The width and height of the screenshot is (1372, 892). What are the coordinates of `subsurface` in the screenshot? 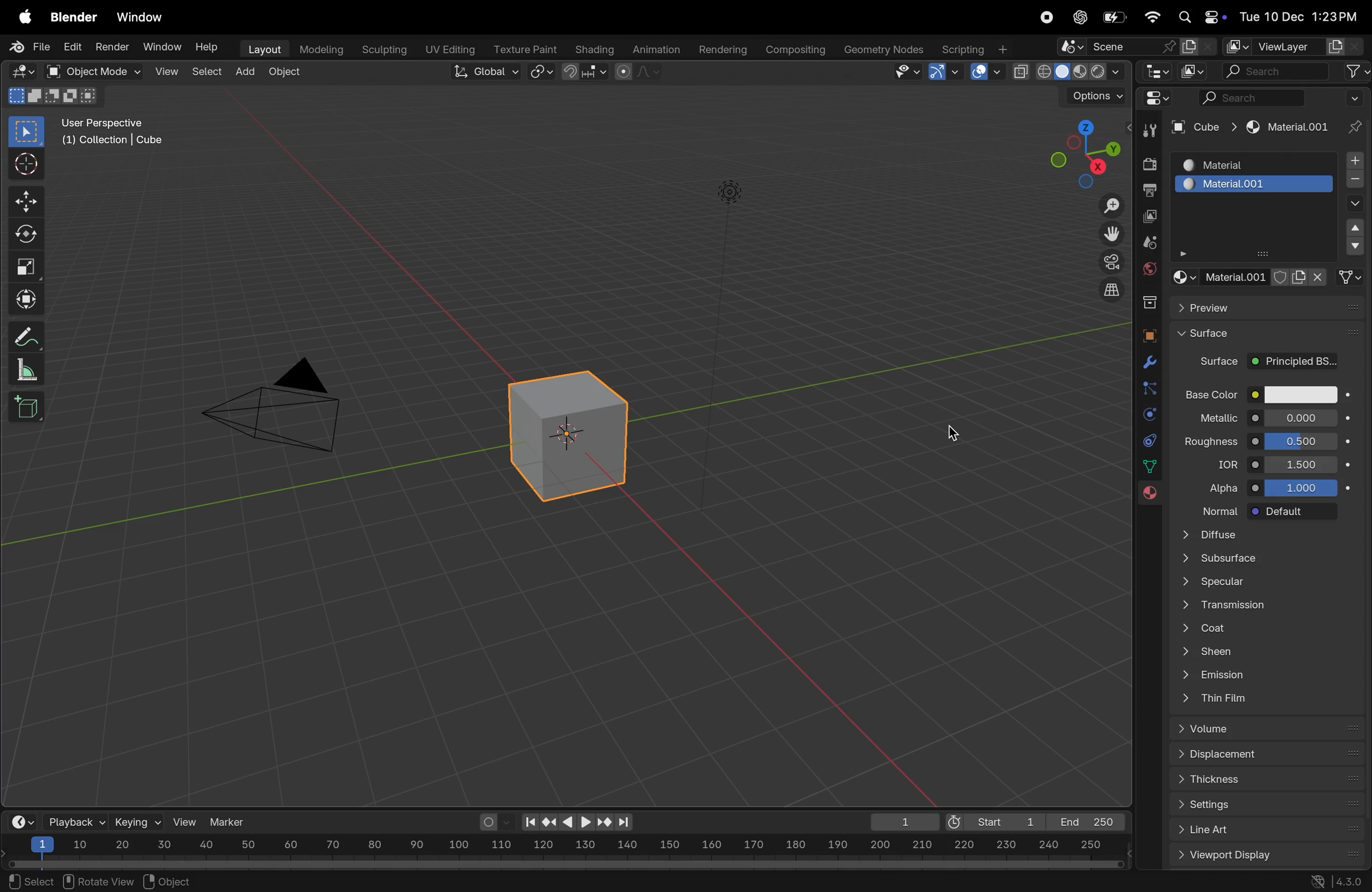 It's located at (1260, 560).